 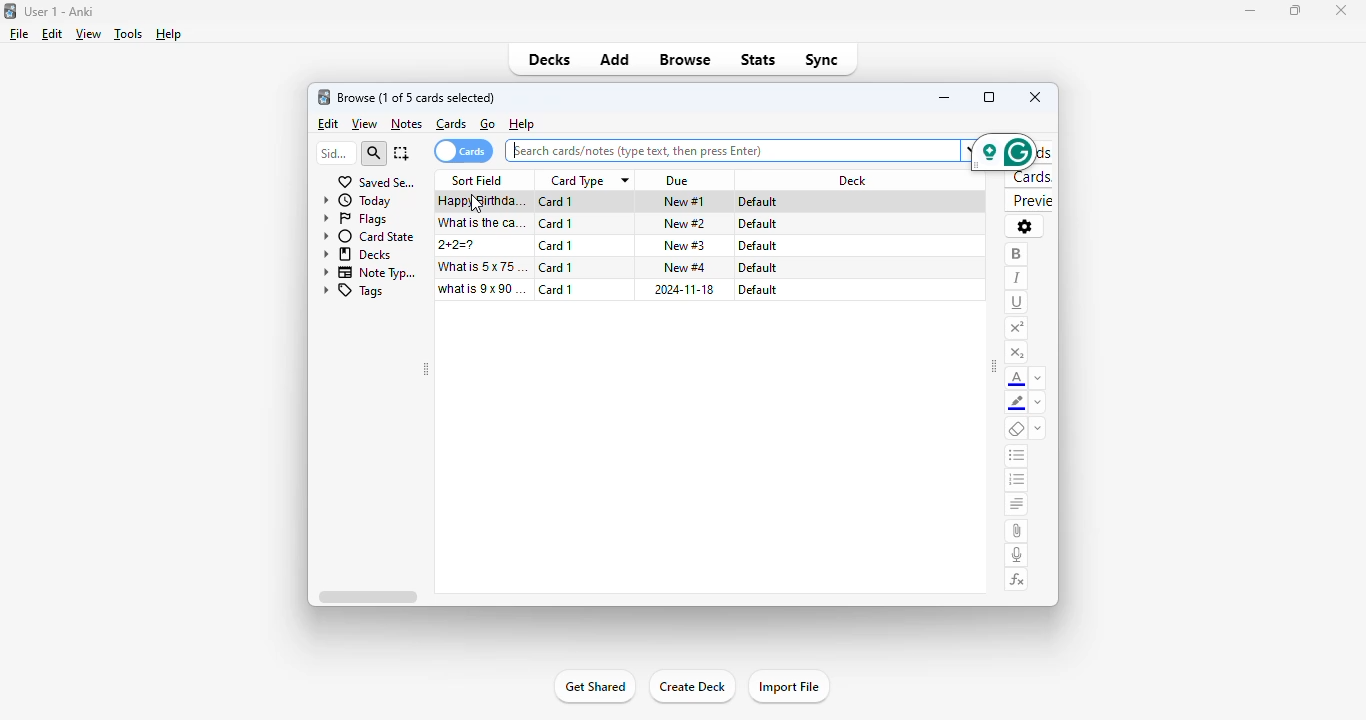 What do you see at coordinates (9, 11) in the screenshot?
I see `logo` at bounding box center [9, 11].